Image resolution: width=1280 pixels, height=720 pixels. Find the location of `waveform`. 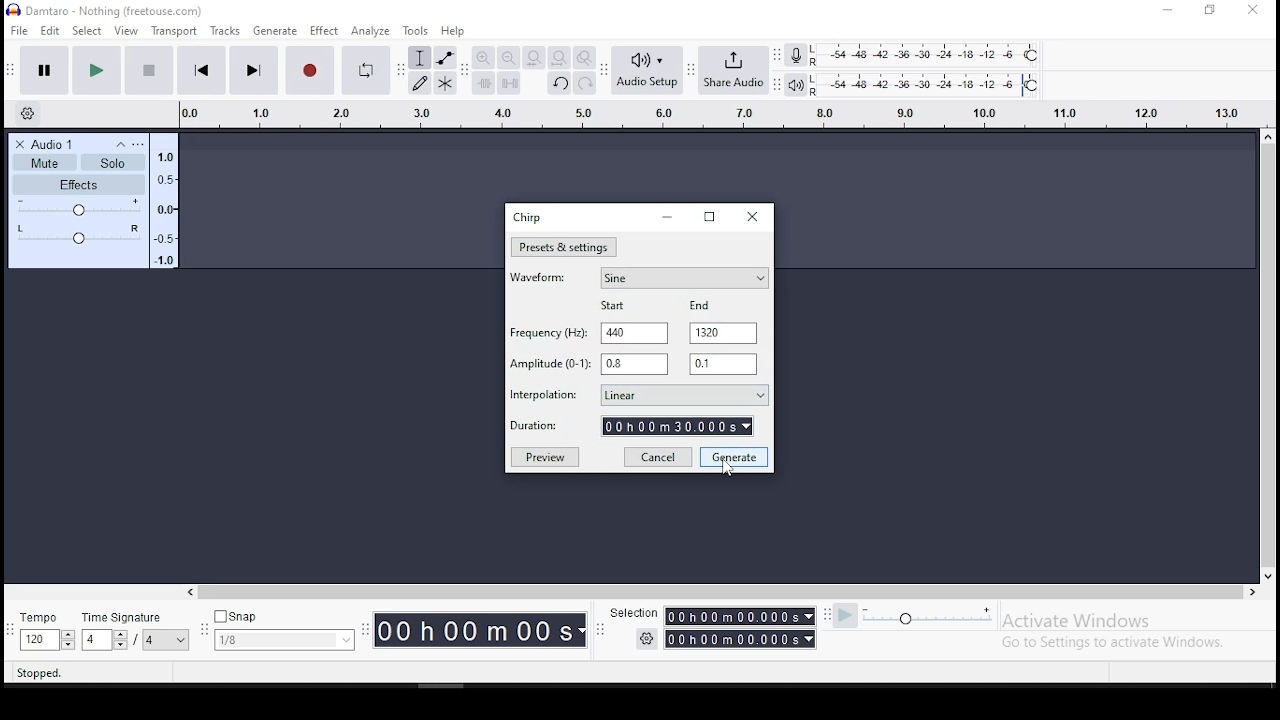

waveform is located at coordinates (637, 276).